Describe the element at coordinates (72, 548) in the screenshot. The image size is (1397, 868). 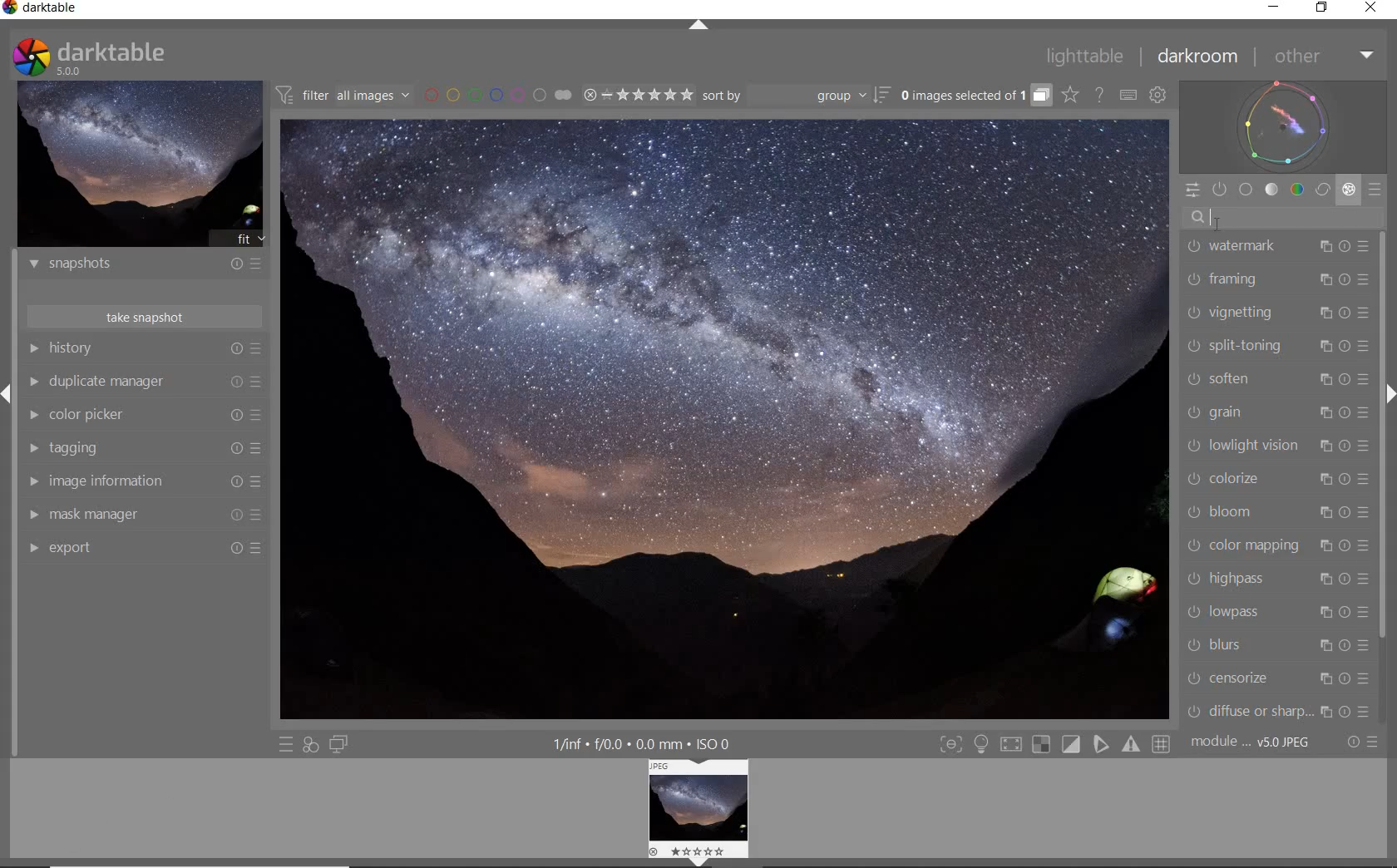
I see `Export` at that location.